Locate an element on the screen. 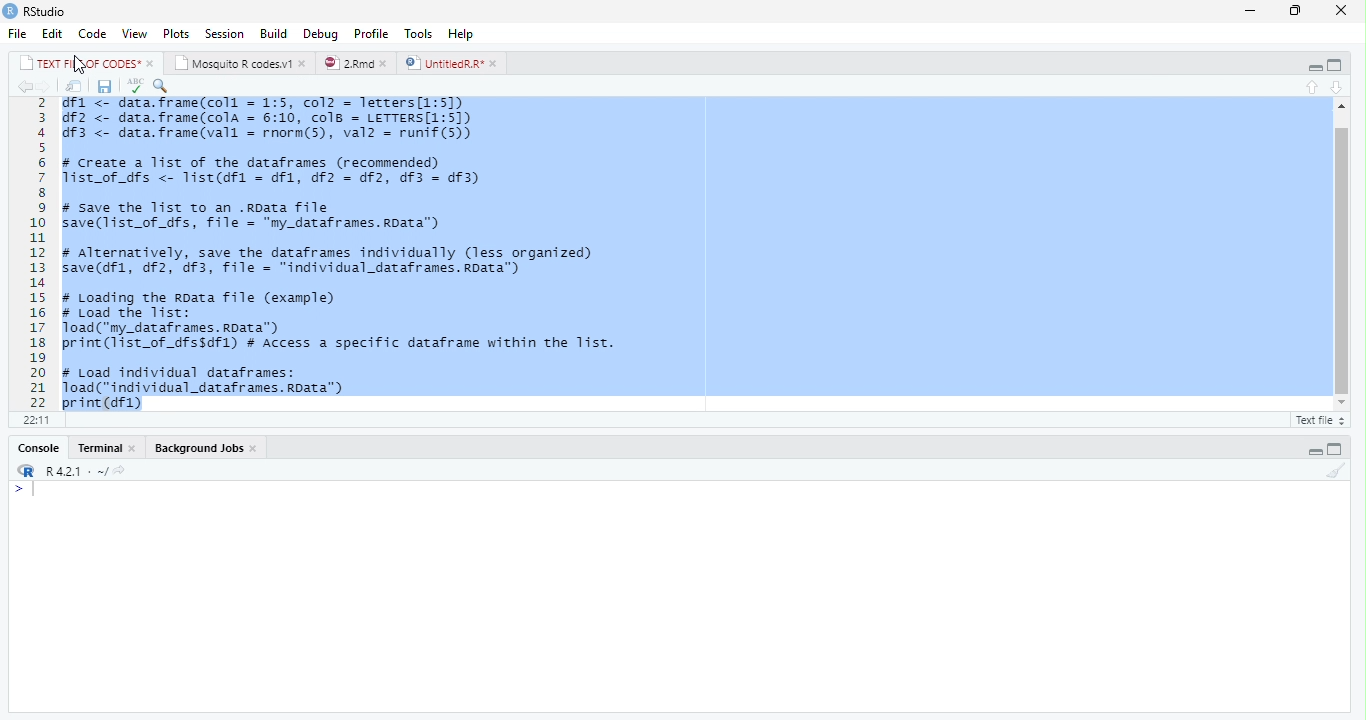 This screenshot has width=1366, height=720. Line number is located at coordinates (35, 253).